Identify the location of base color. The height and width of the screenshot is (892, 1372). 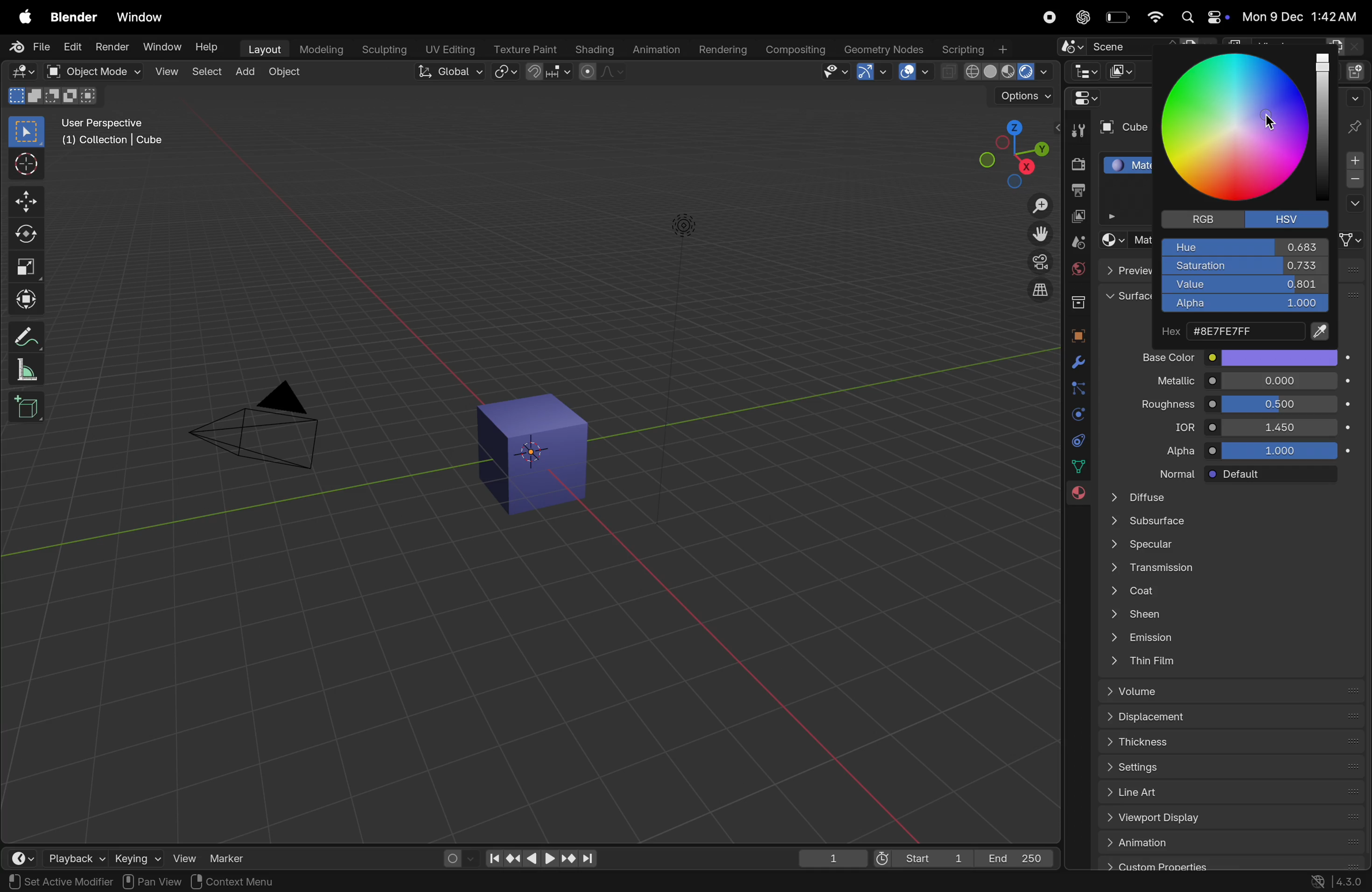
(1160, 357).